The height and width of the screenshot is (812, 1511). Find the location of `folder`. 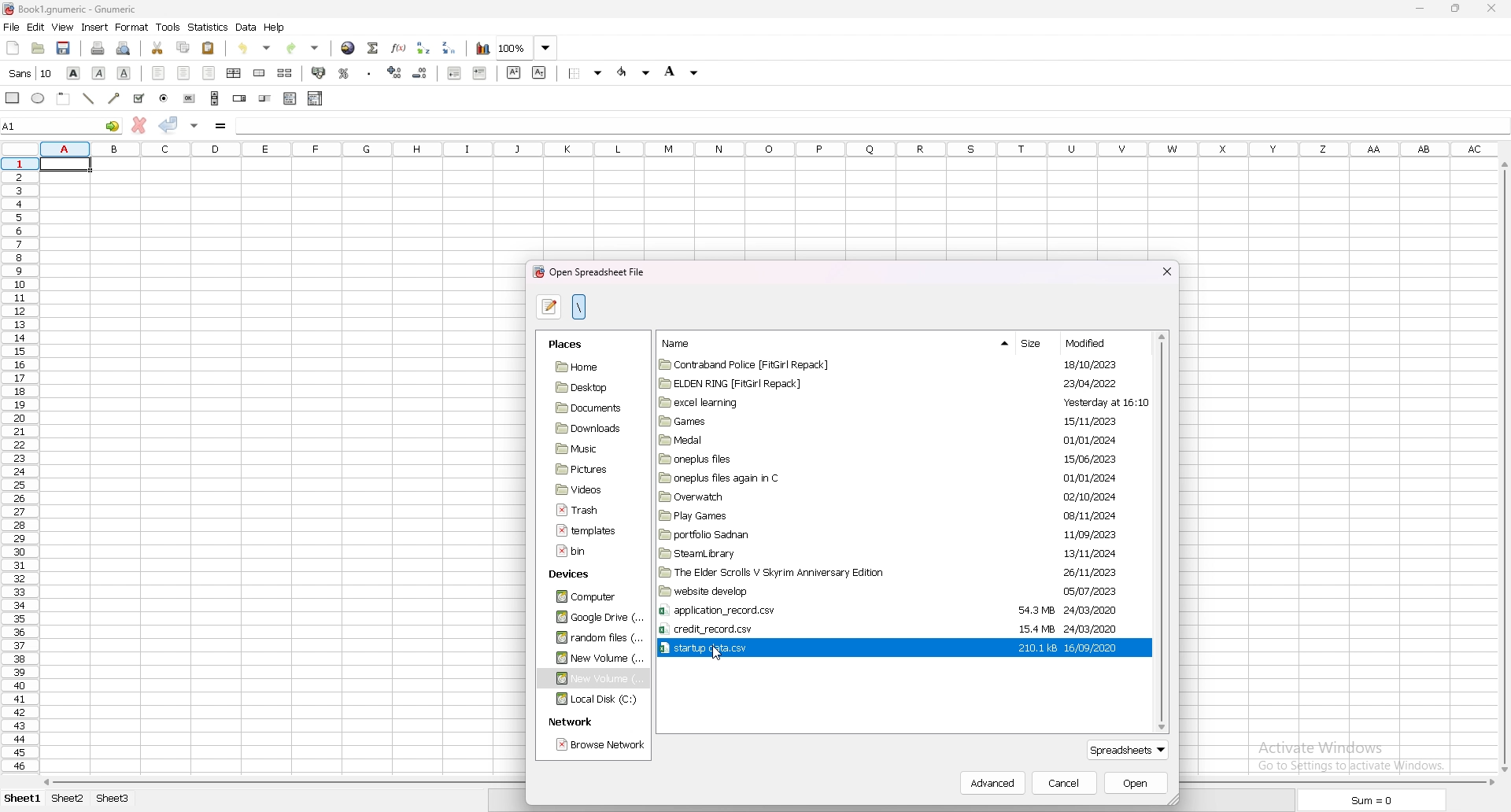

folder is located at coordinates (595, 618).